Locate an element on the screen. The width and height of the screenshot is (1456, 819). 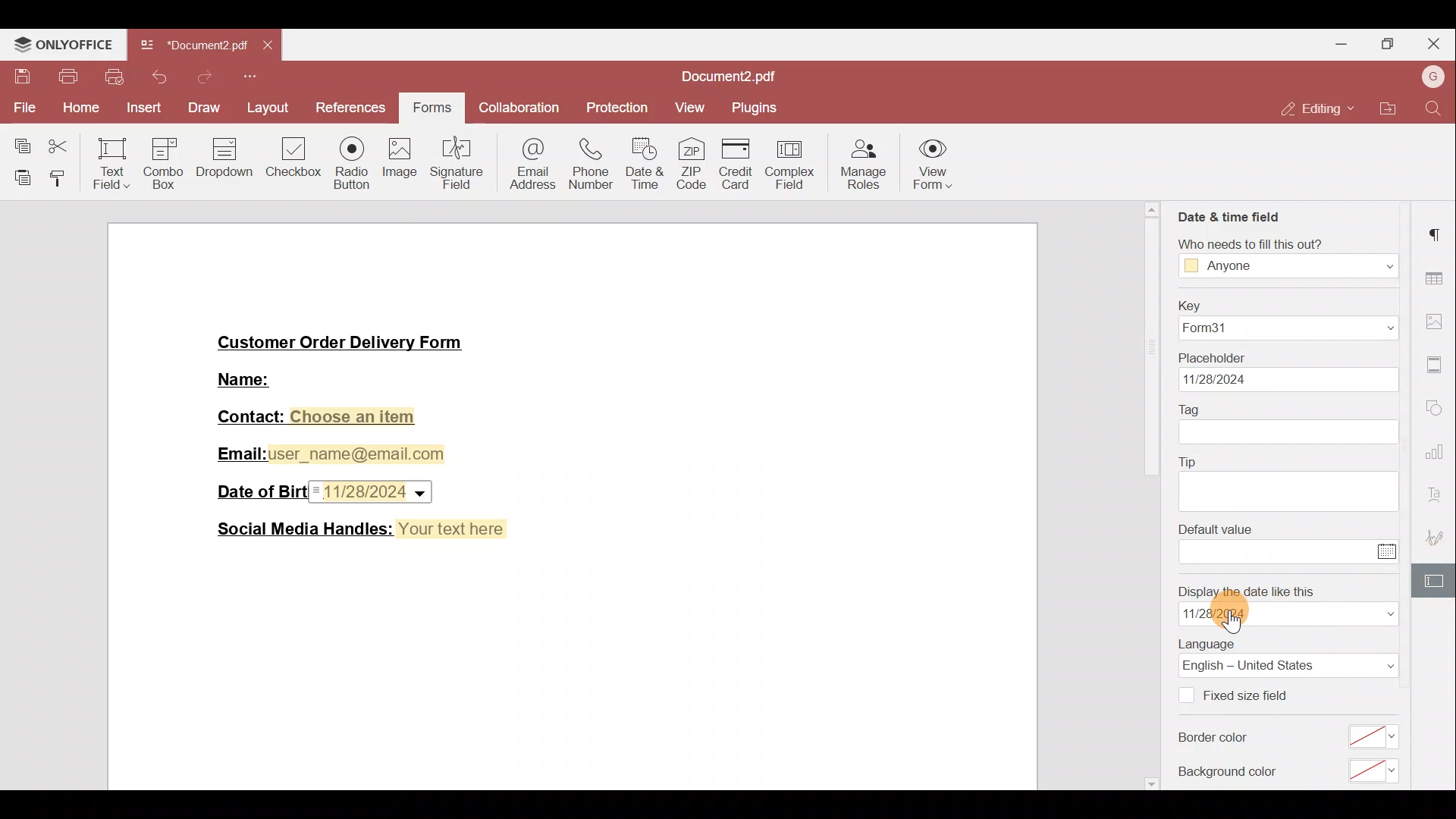
Checkbox is located at coordinates (295, 163).